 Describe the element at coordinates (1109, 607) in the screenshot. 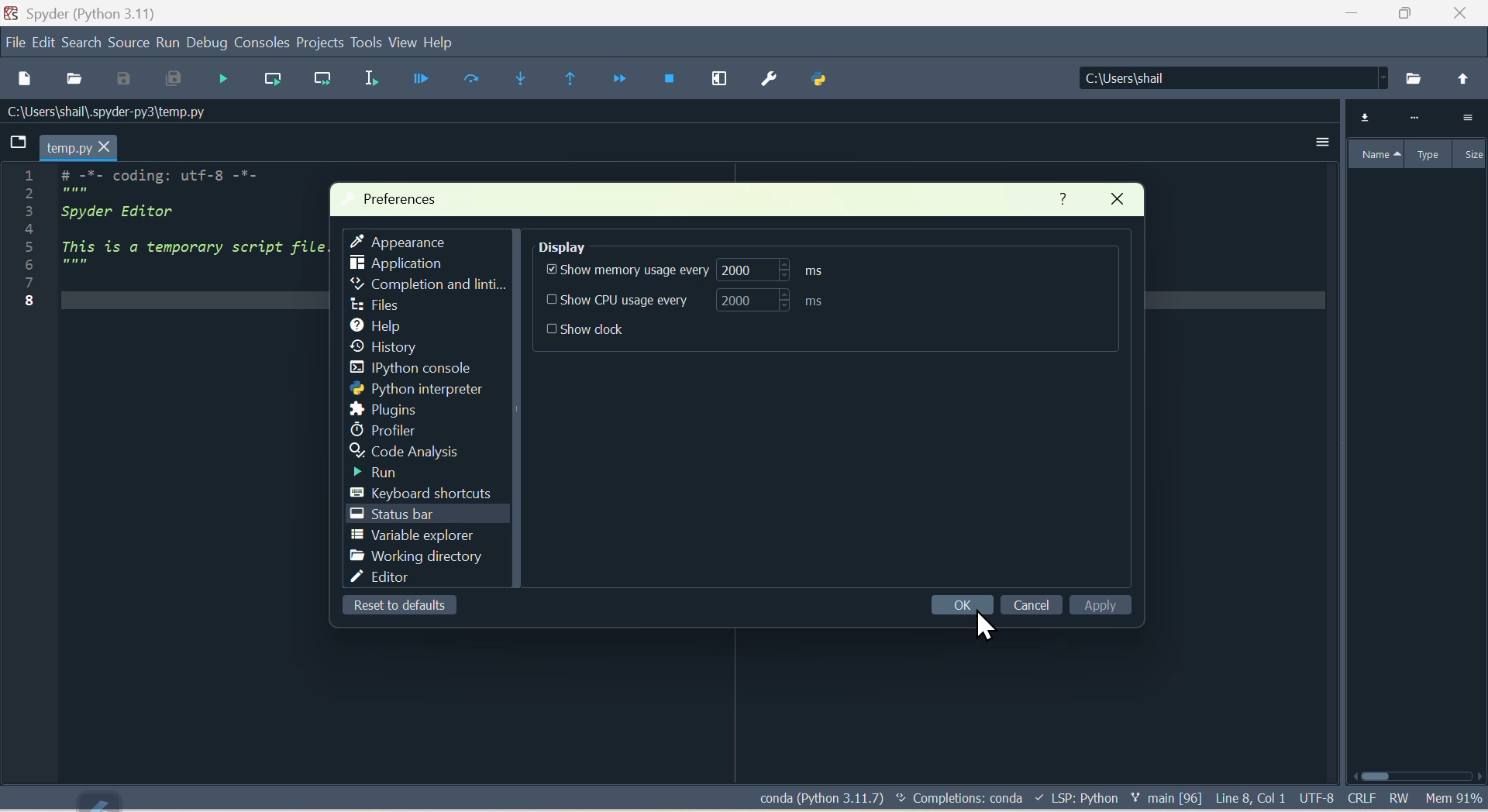

I see `Apply` at that location.